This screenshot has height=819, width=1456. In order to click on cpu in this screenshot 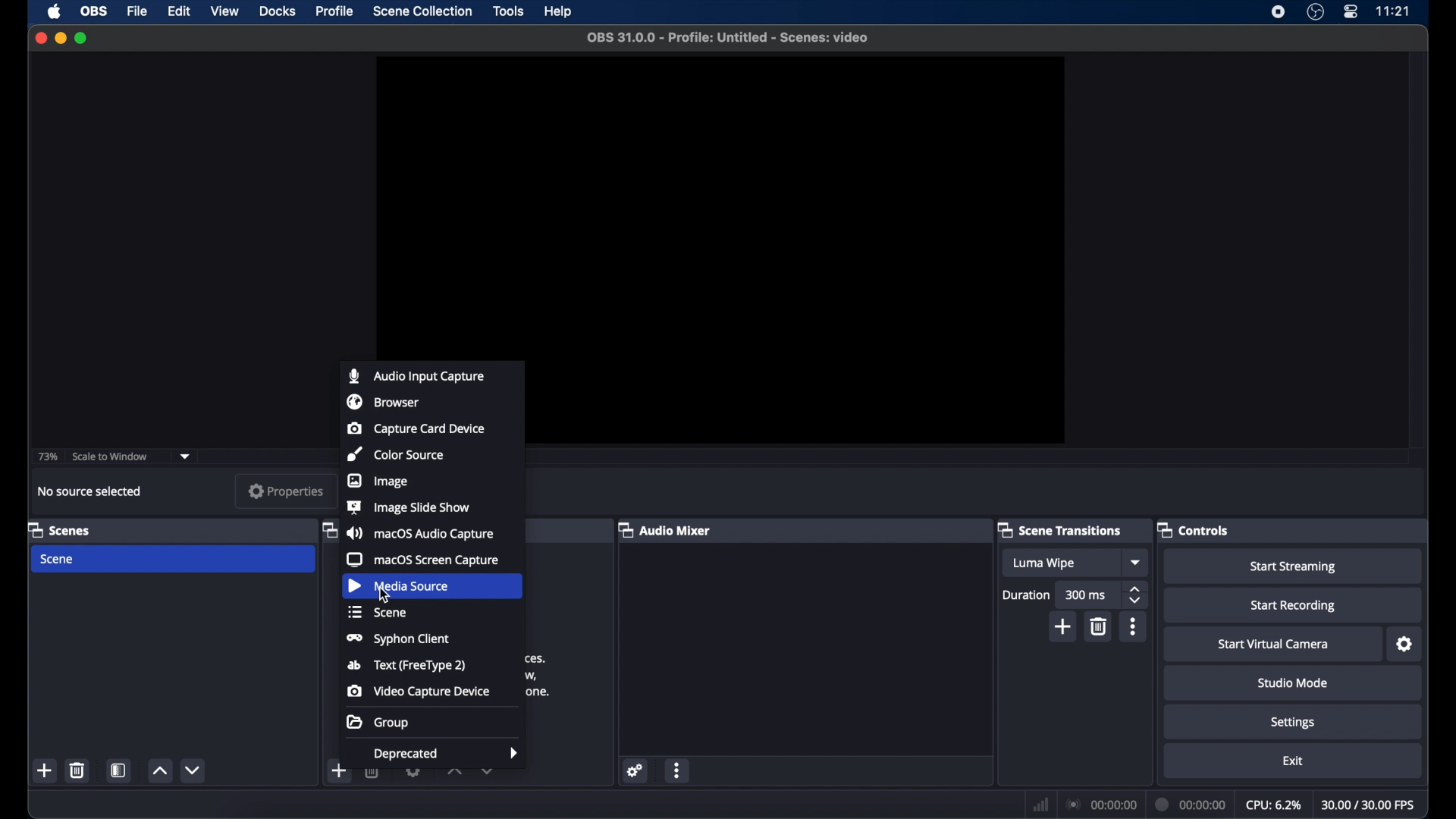, I will do `click(1274, 805)`.